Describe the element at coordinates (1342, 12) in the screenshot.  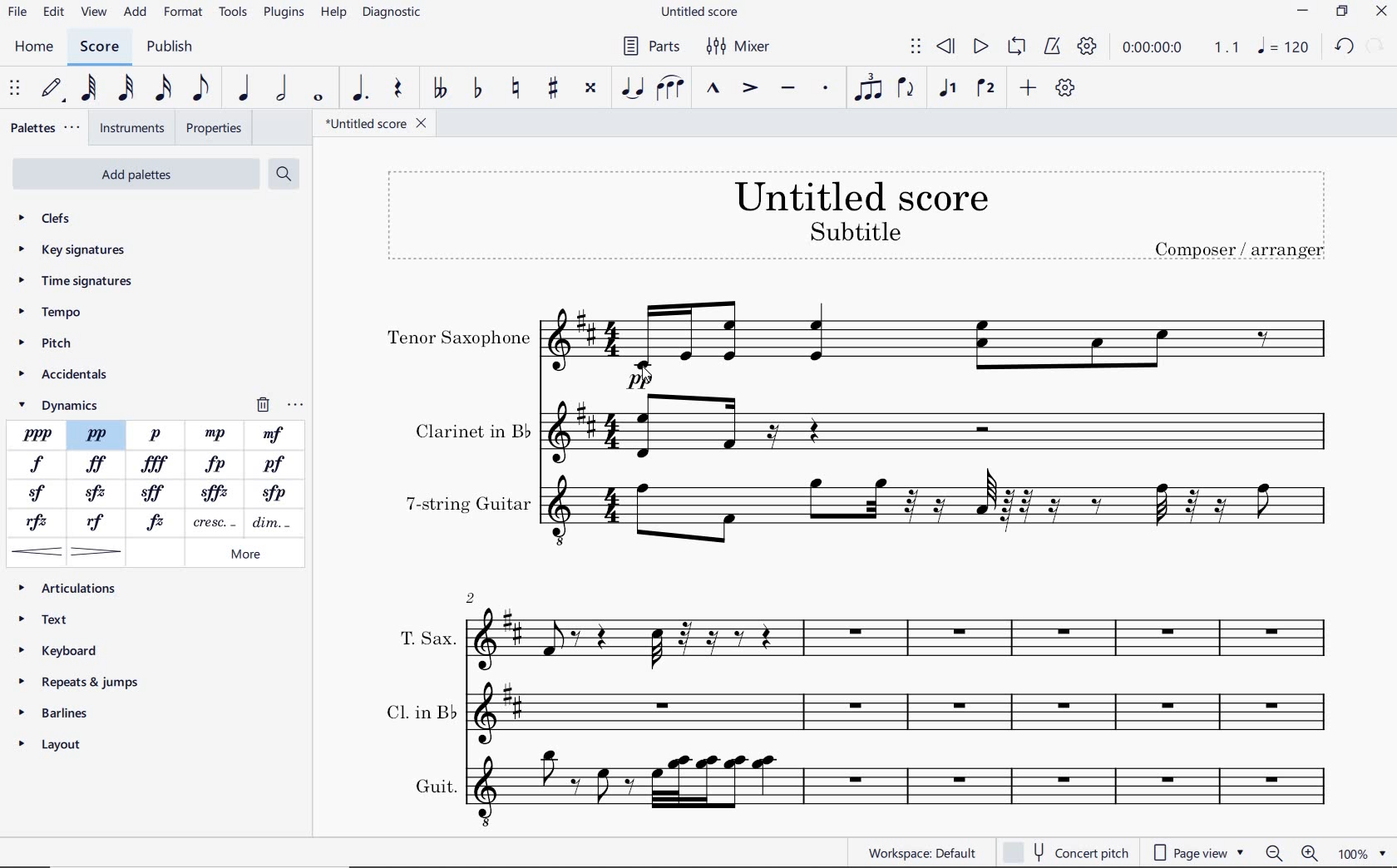
I see `restore down` at that location.